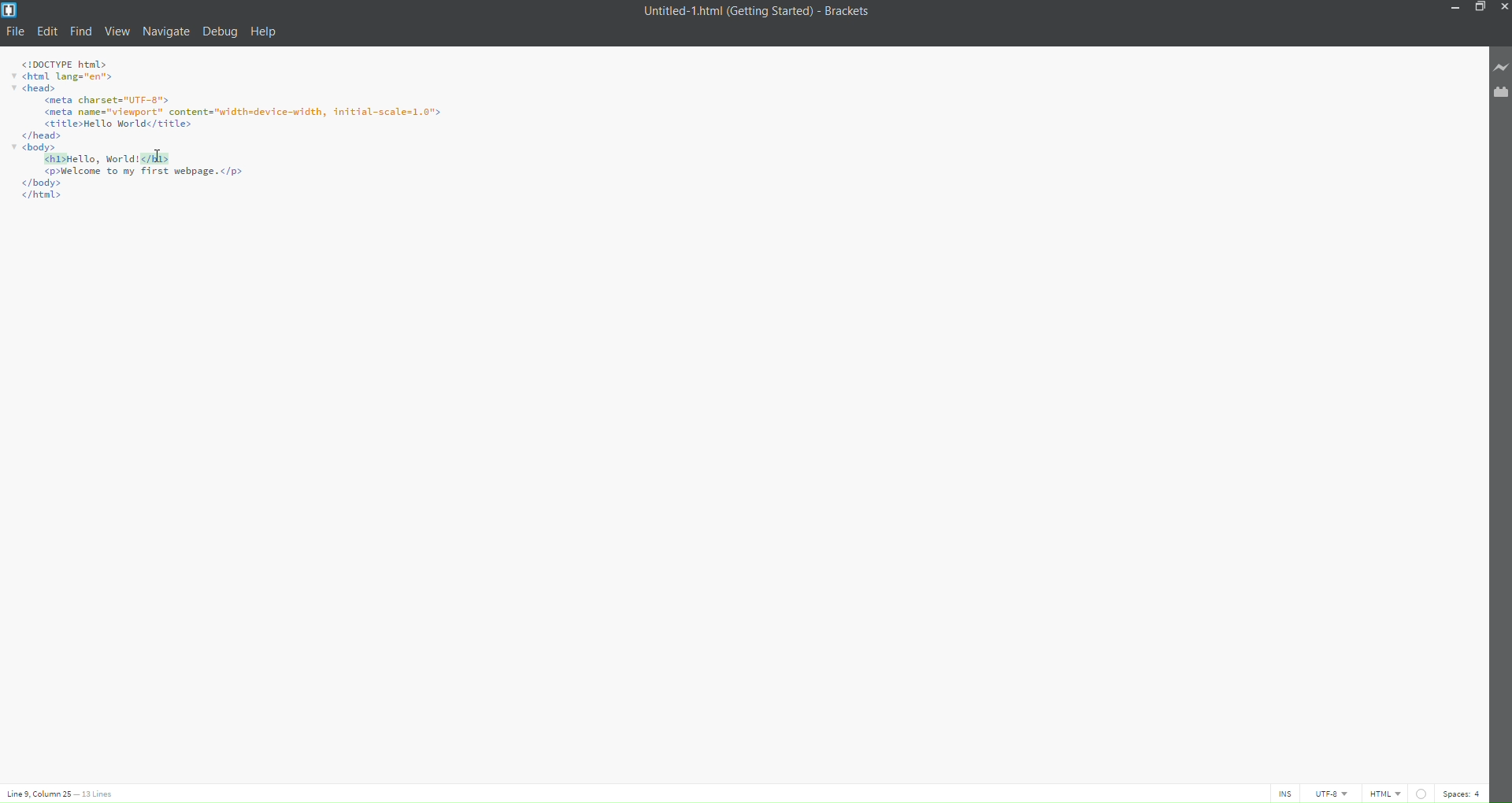 The image size is (1512, 803). Describe the element at coordinates (752, 12) in the screenshot. I see `title` at that location.